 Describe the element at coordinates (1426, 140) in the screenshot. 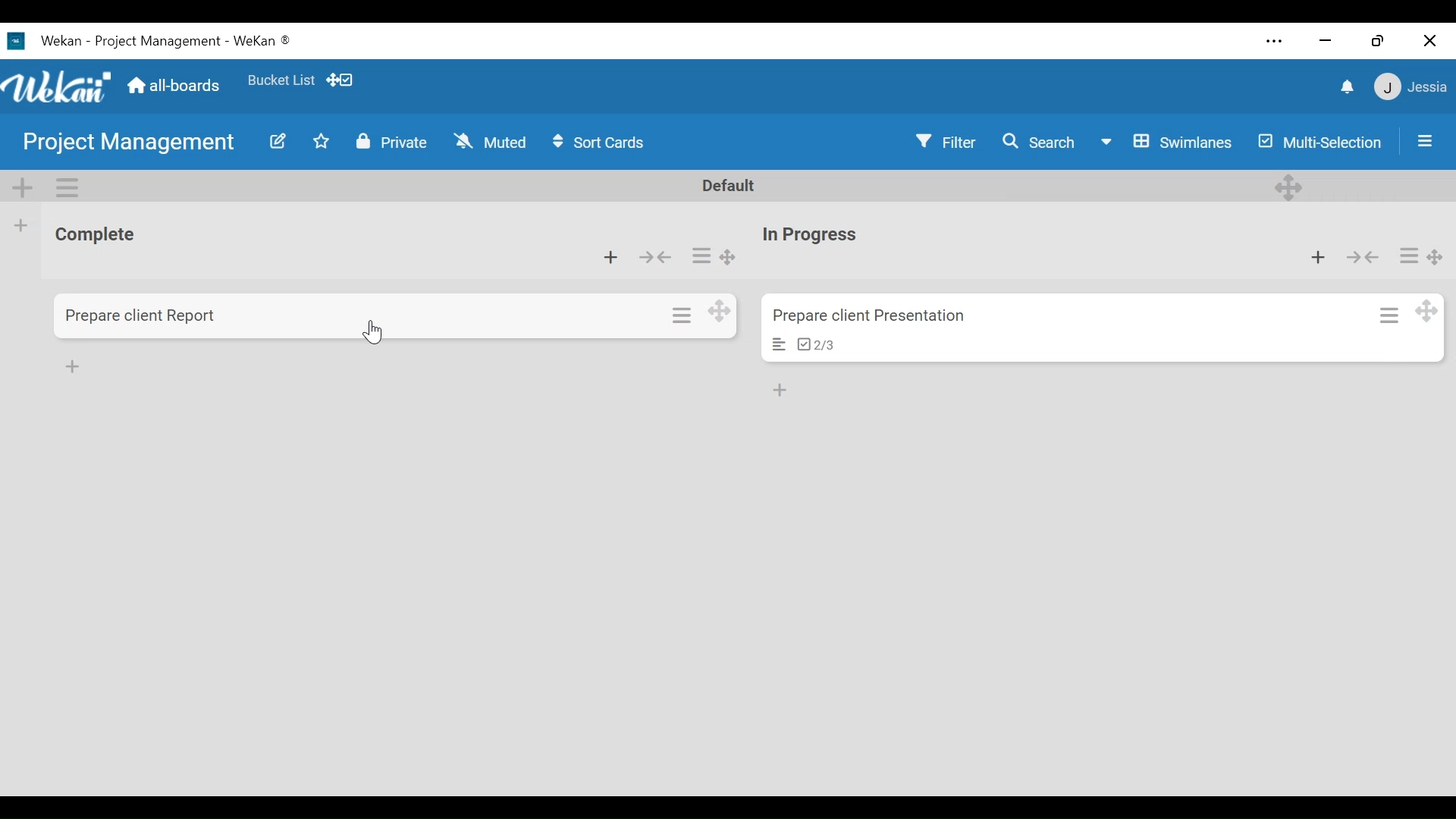

I see `Sidebar` at that location.